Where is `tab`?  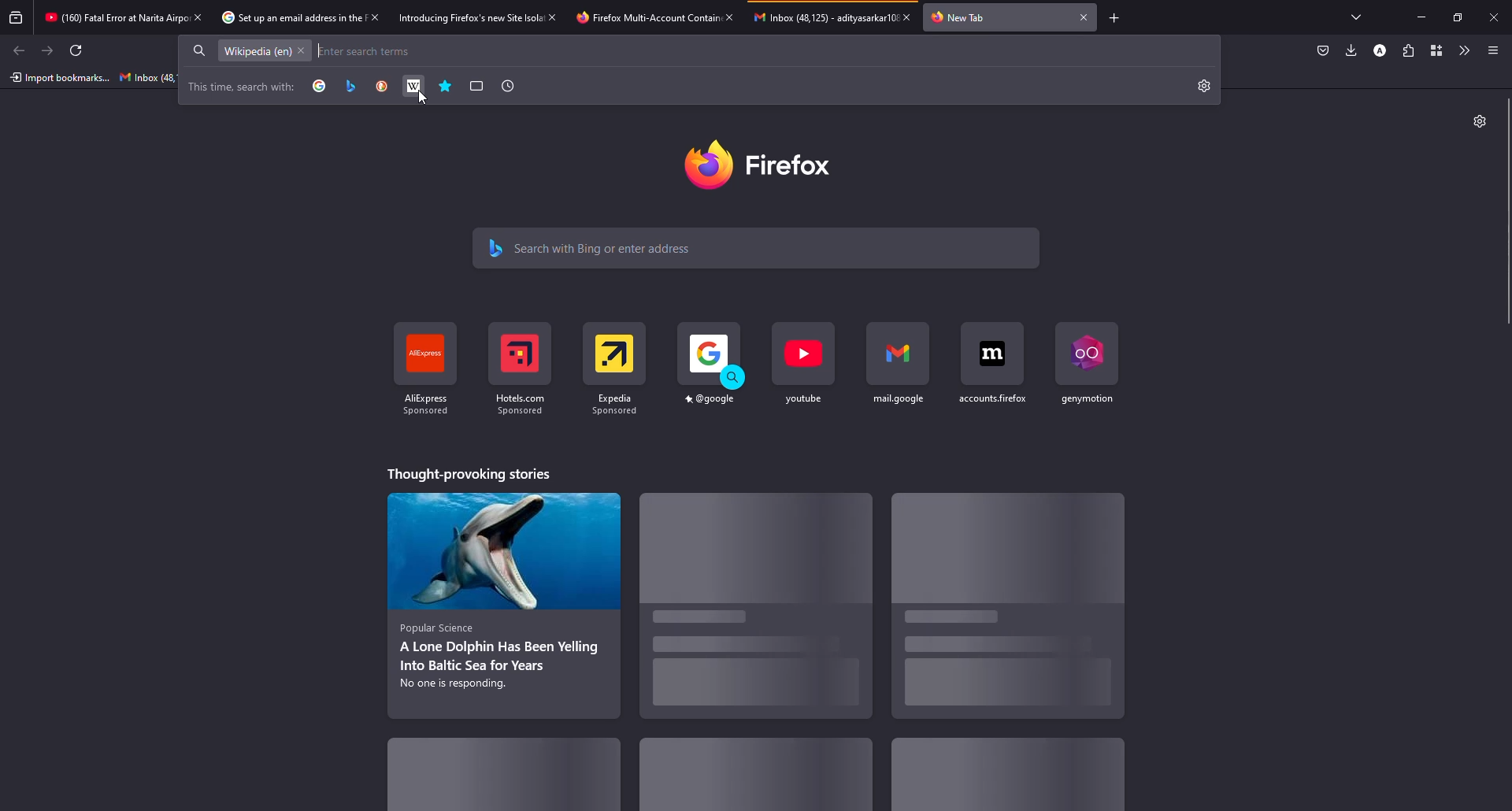 tab is located at coordinates (634, 19).